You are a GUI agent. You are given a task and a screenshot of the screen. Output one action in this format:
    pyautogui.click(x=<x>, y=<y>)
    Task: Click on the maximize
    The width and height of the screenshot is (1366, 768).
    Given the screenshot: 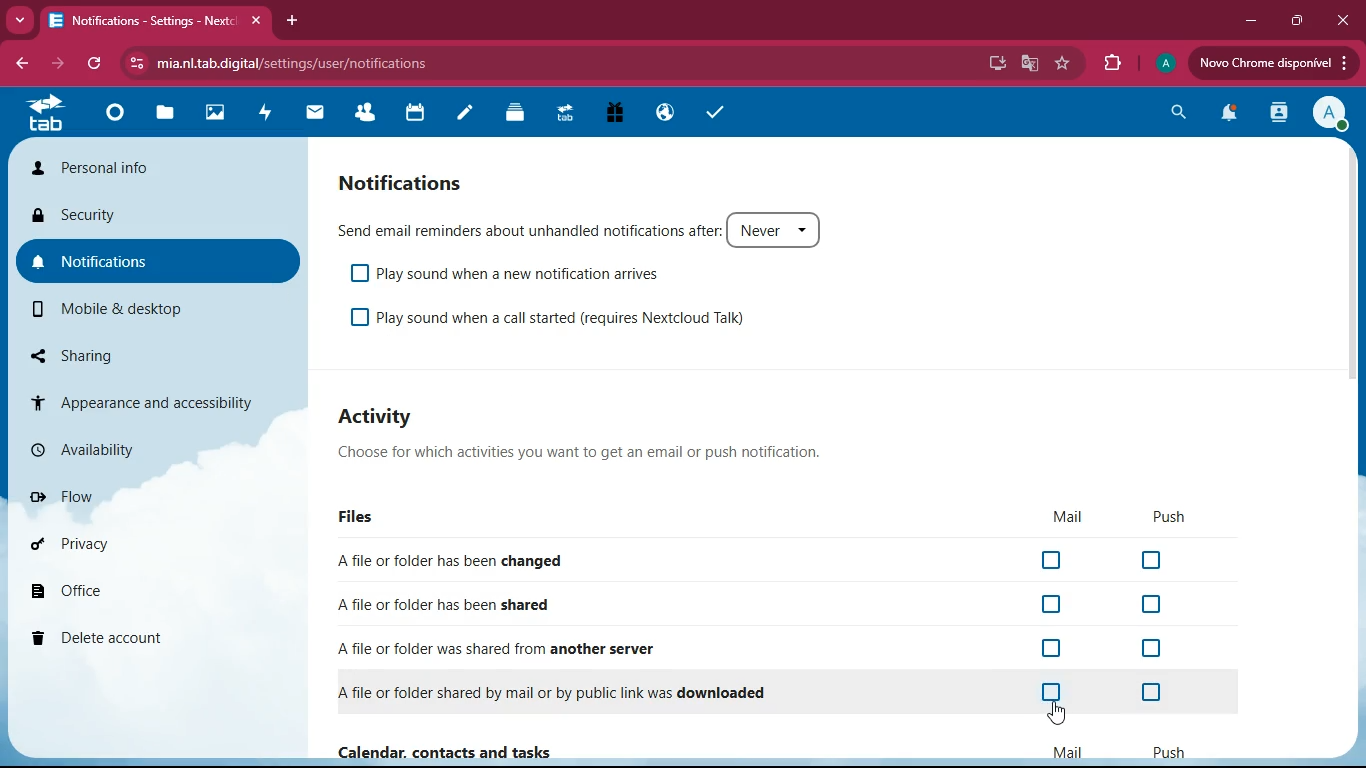 What is the action you would take?
    pyautogui.click(x=1293, y=22)
    